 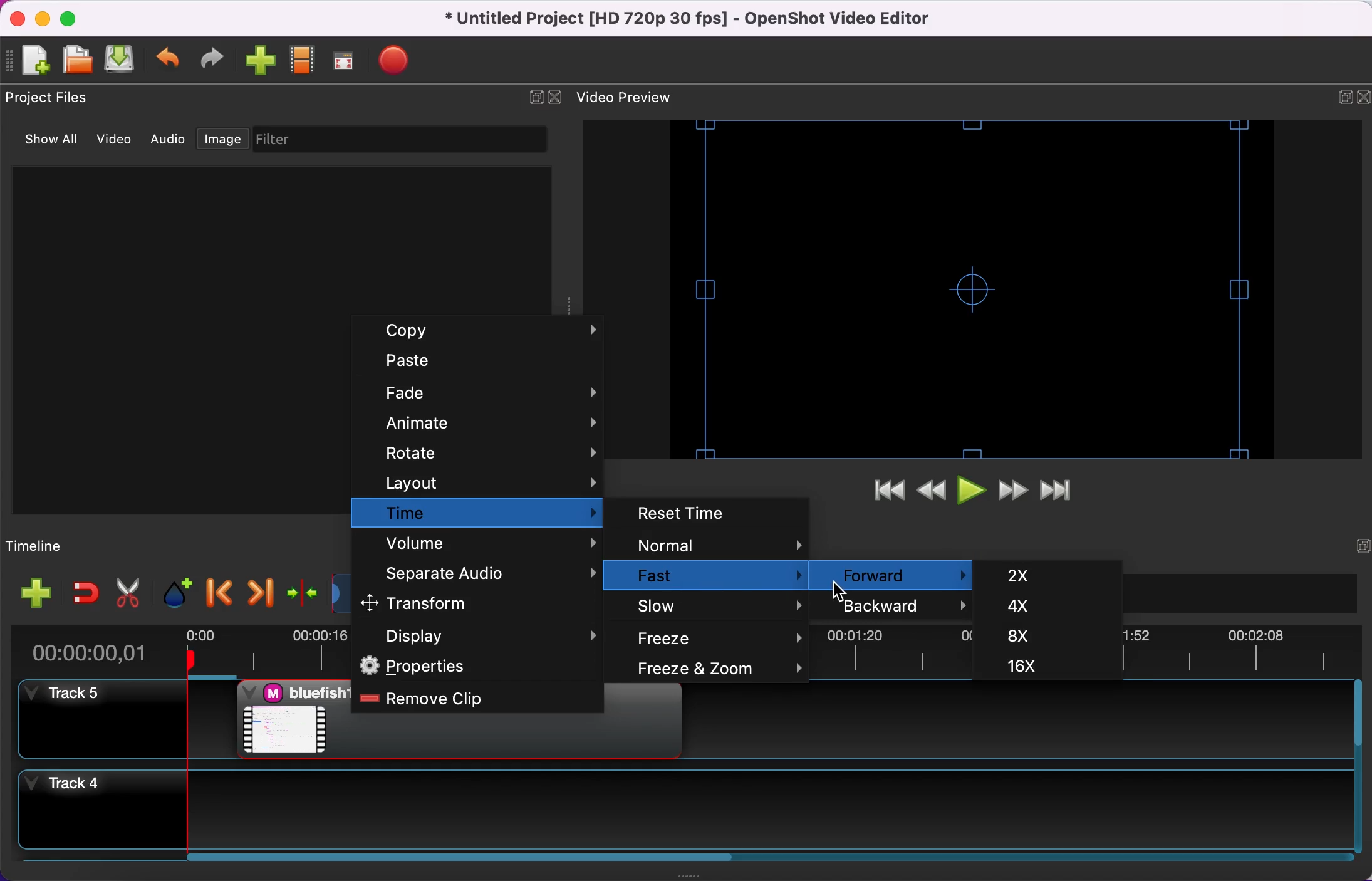 I want to click on jump to end, so click(x=1064, y=489).